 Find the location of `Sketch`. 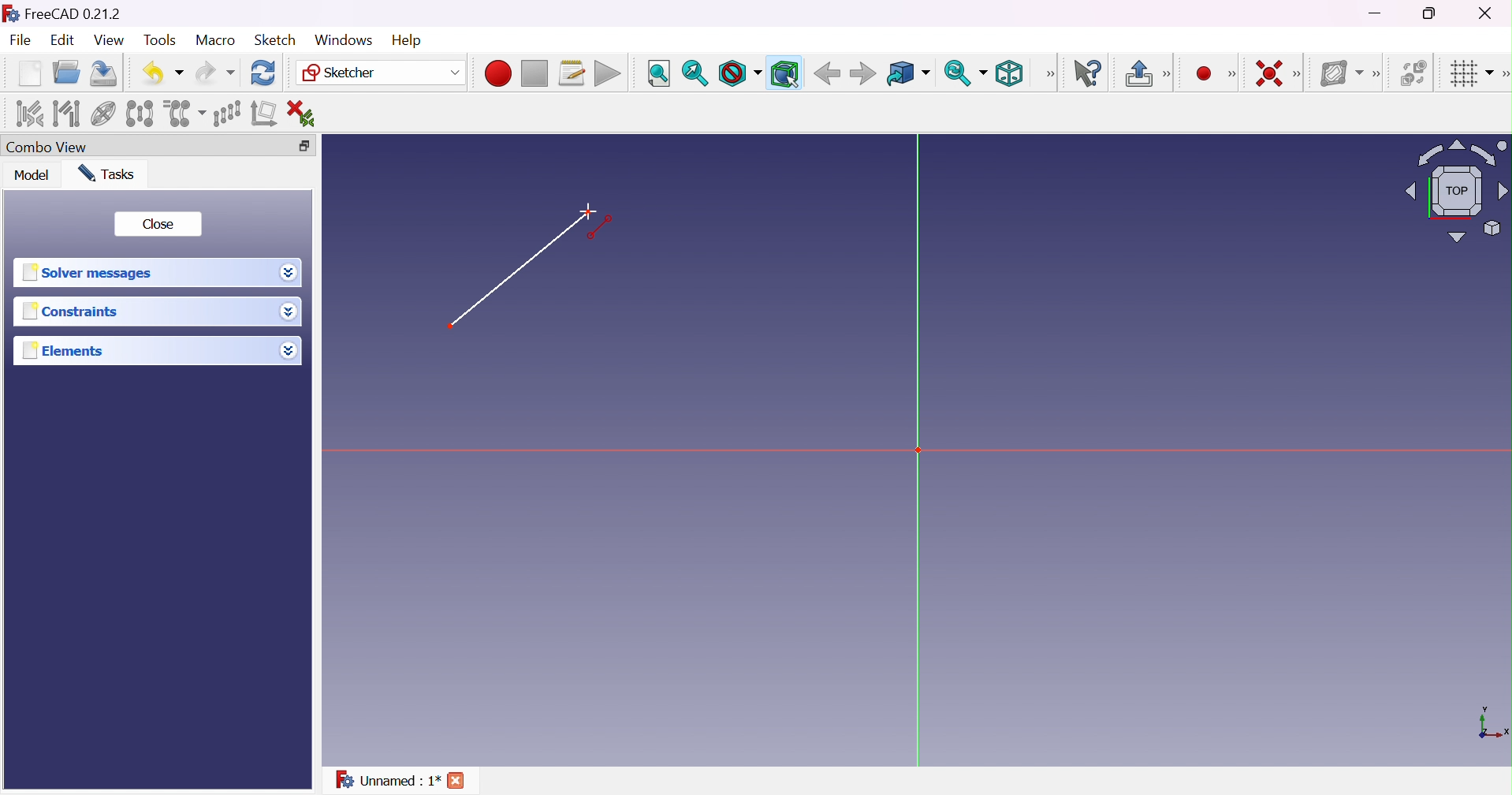

Sketch is located at coordinates (277, 40).